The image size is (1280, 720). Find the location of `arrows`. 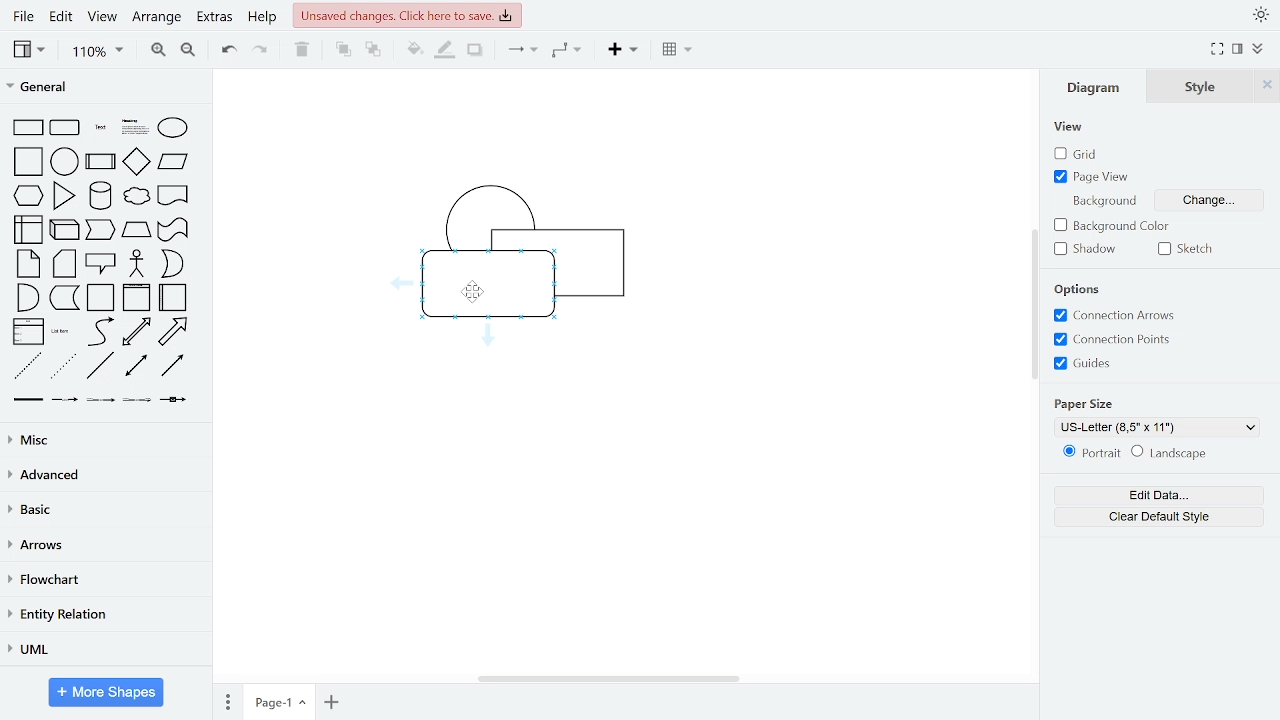

arrows is located at coordinates (105, 545).